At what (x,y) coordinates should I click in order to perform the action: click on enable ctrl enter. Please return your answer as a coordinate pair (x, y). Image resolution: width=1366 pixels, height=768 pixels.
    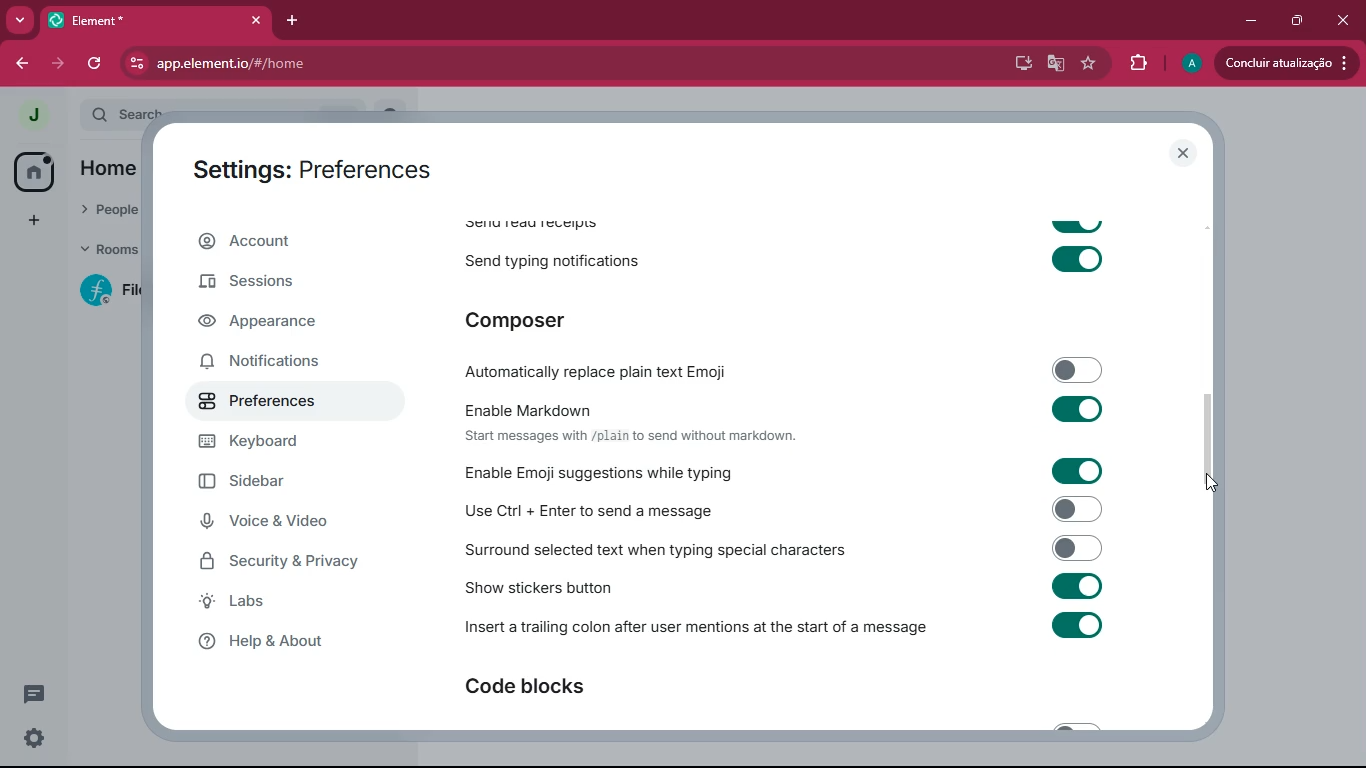
    Looking at the image, I should click on (809, 509).